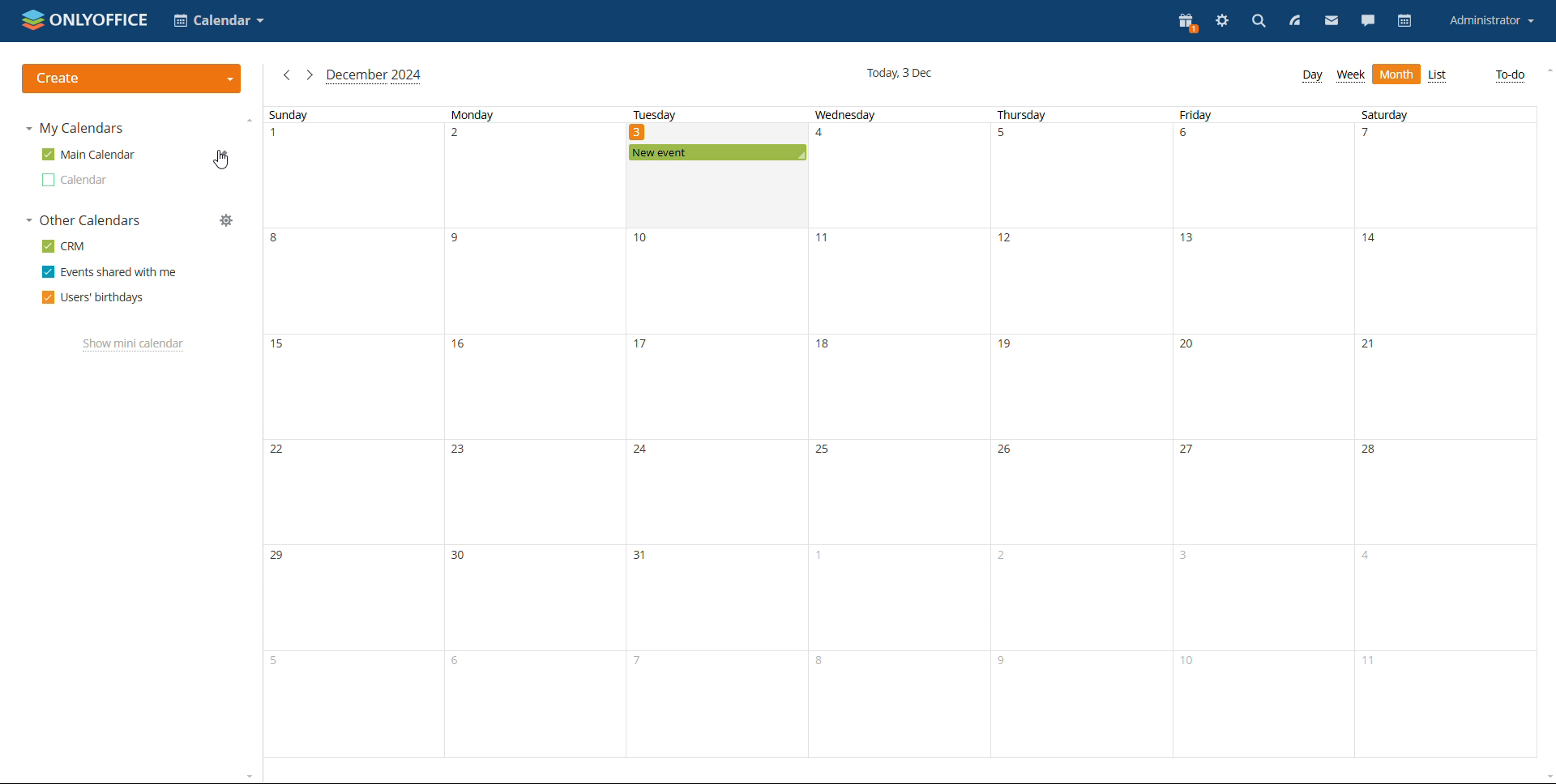 This screenshot has width=1556, height=784. I want to click on day view, so click(1312, 76).